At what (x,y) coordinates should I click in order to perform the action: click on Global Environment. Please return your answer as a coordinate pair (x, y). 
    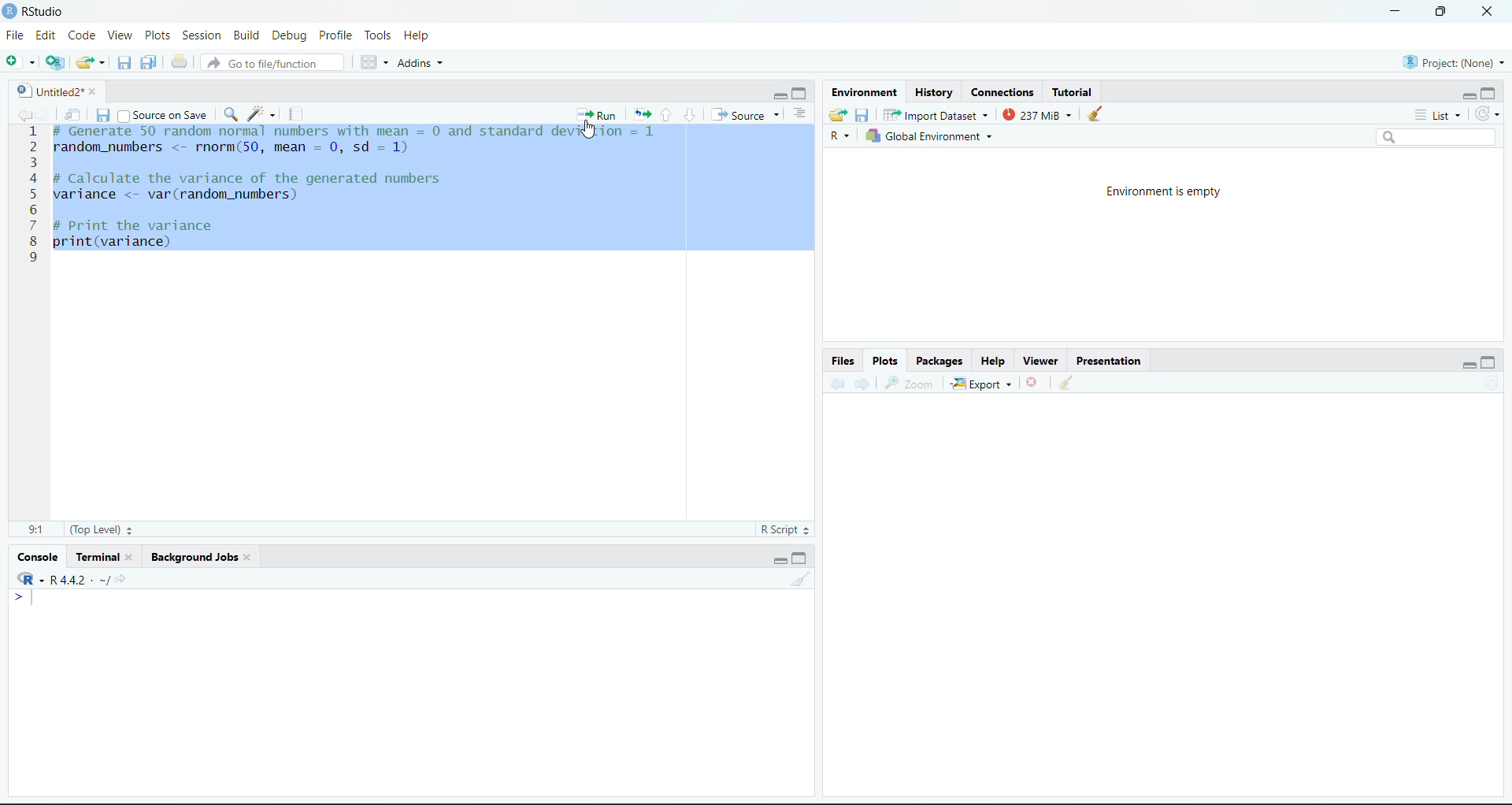
    Looking at the image, I should click on (928, 135).